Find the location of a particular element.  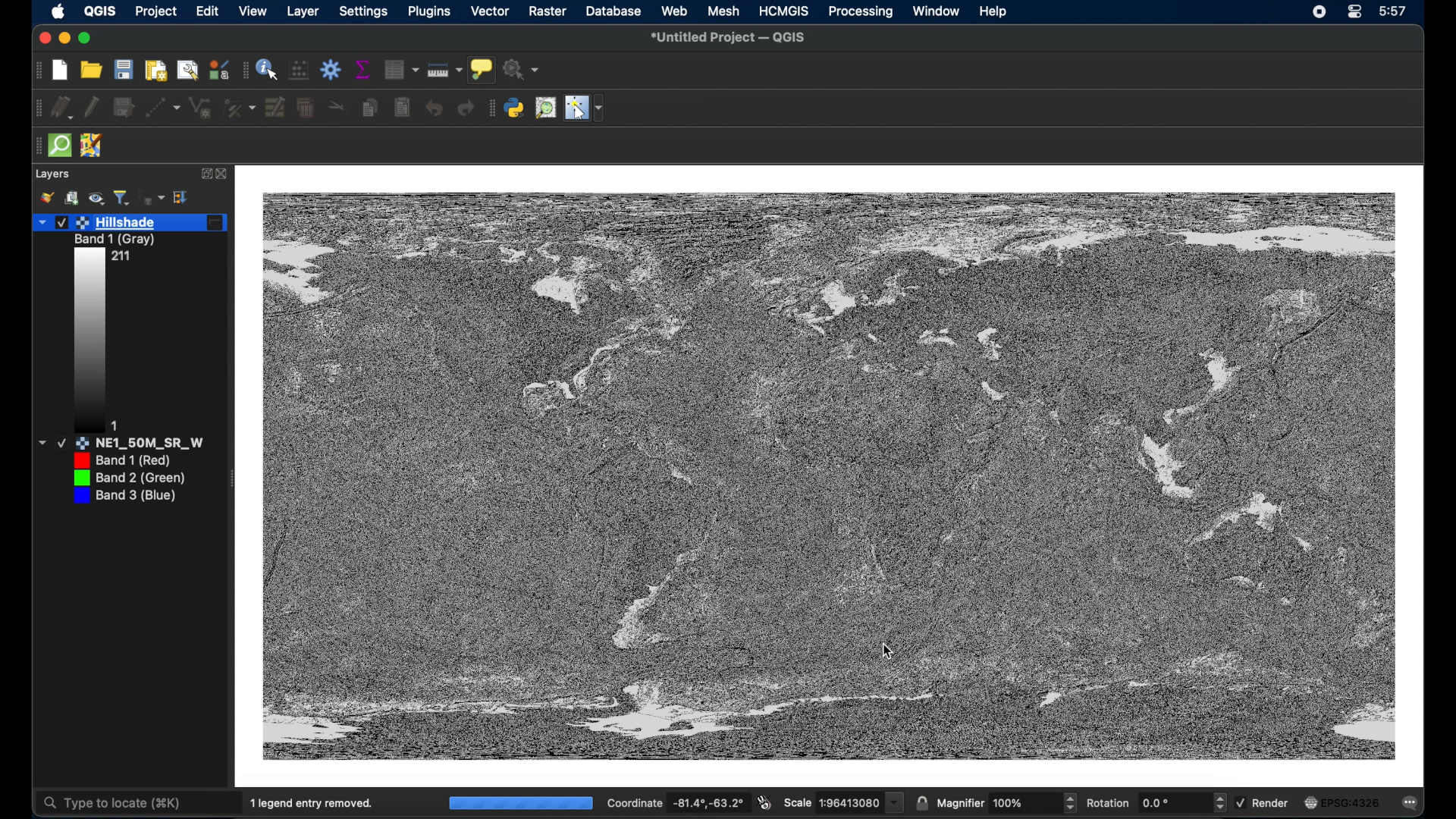

Band 1 (Red) is located at coordinates (140, 461).